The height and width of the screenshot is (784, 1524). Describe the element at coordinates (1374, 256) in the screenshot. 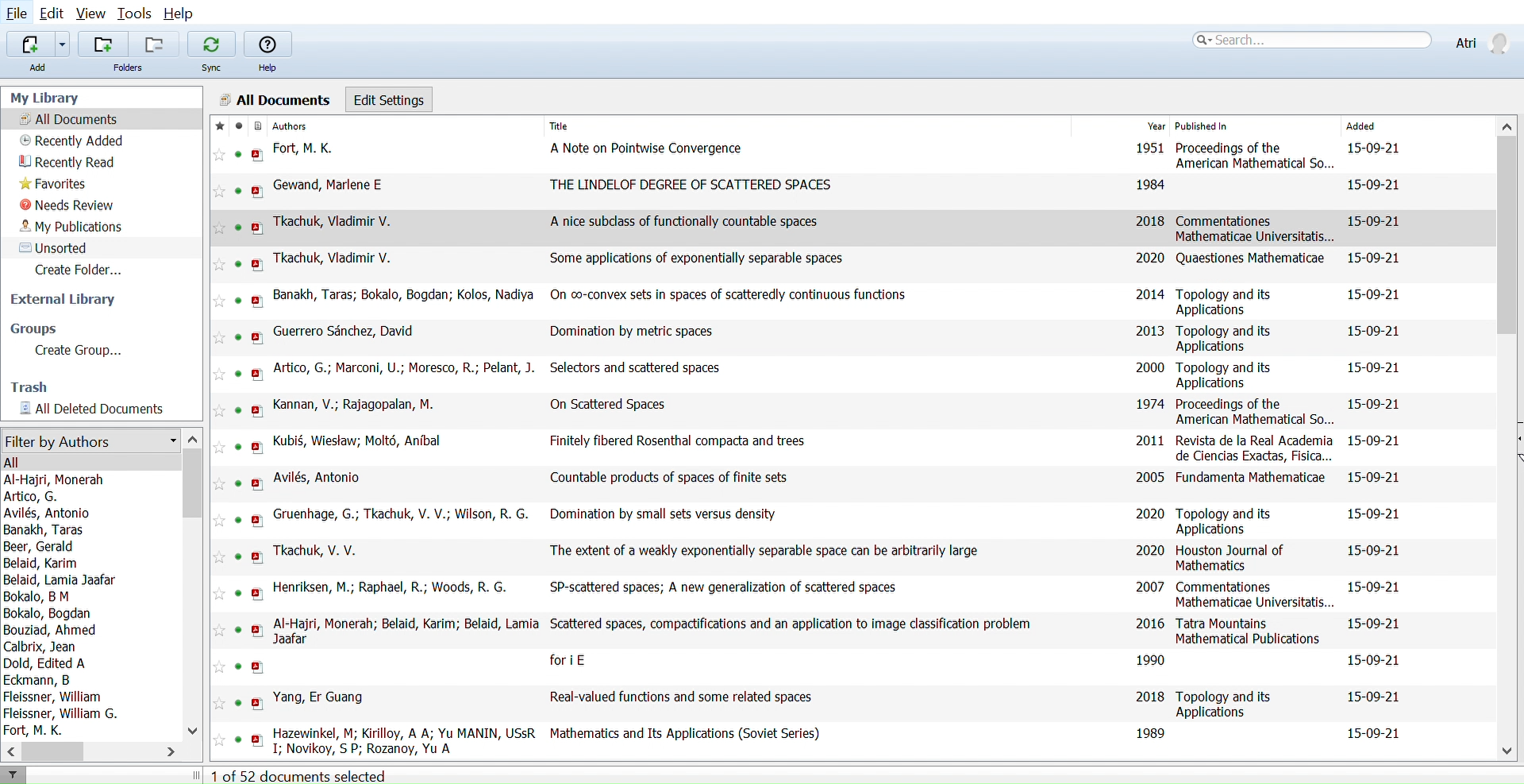

I see `15-09-21` at that location.